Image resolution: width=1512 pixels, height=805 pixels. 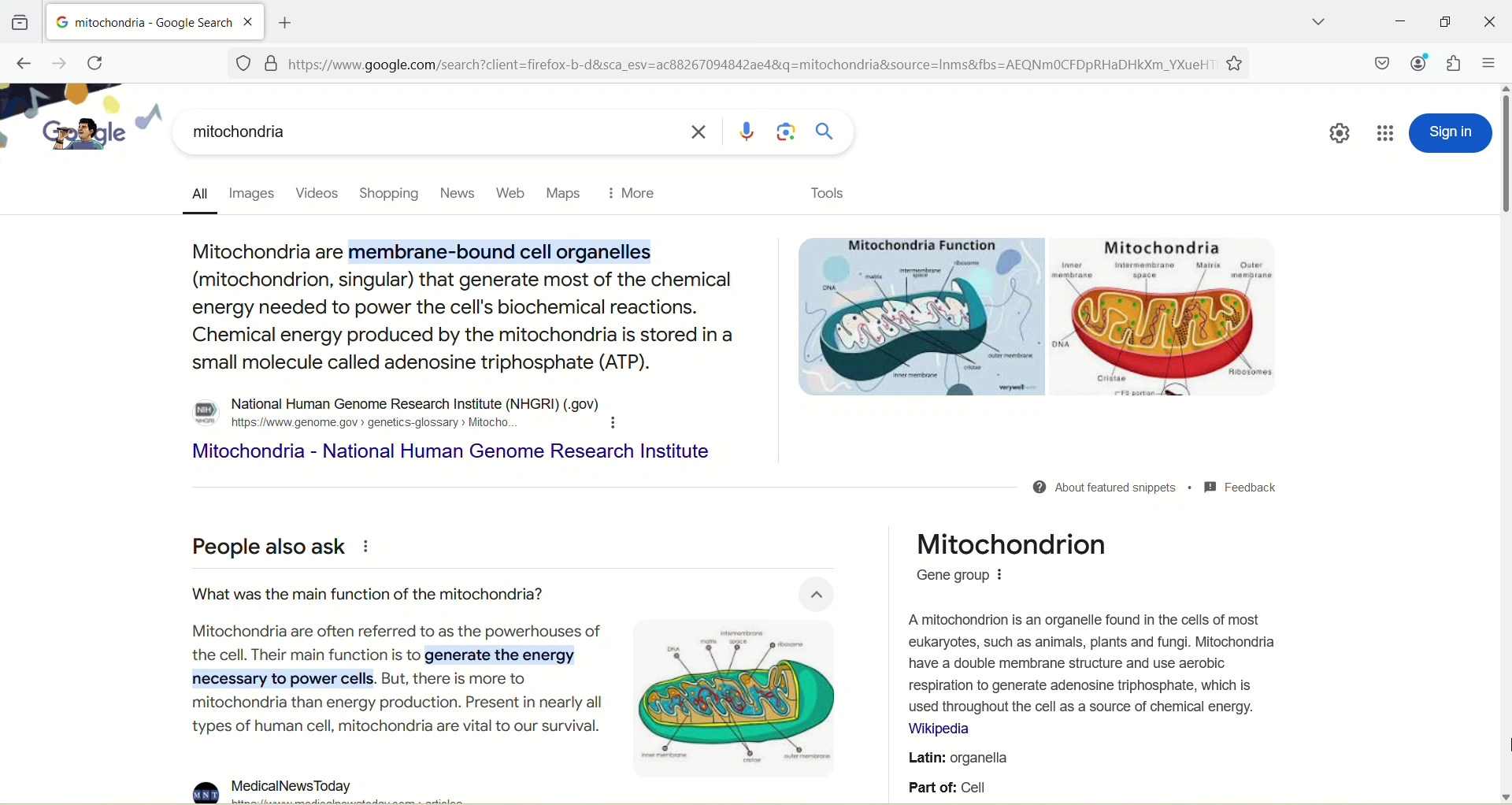 I want to click on Mitochondria are membrane-bound cell organelles
(mitochondrion, singular) that generate most of the chemical
energy needed to power the cell's biochemical reactions.
Chemical energy produced by the mitochondria is stored in a
small molecule called adenosine triphosphate (ATP)., so click(x=468, y=306).